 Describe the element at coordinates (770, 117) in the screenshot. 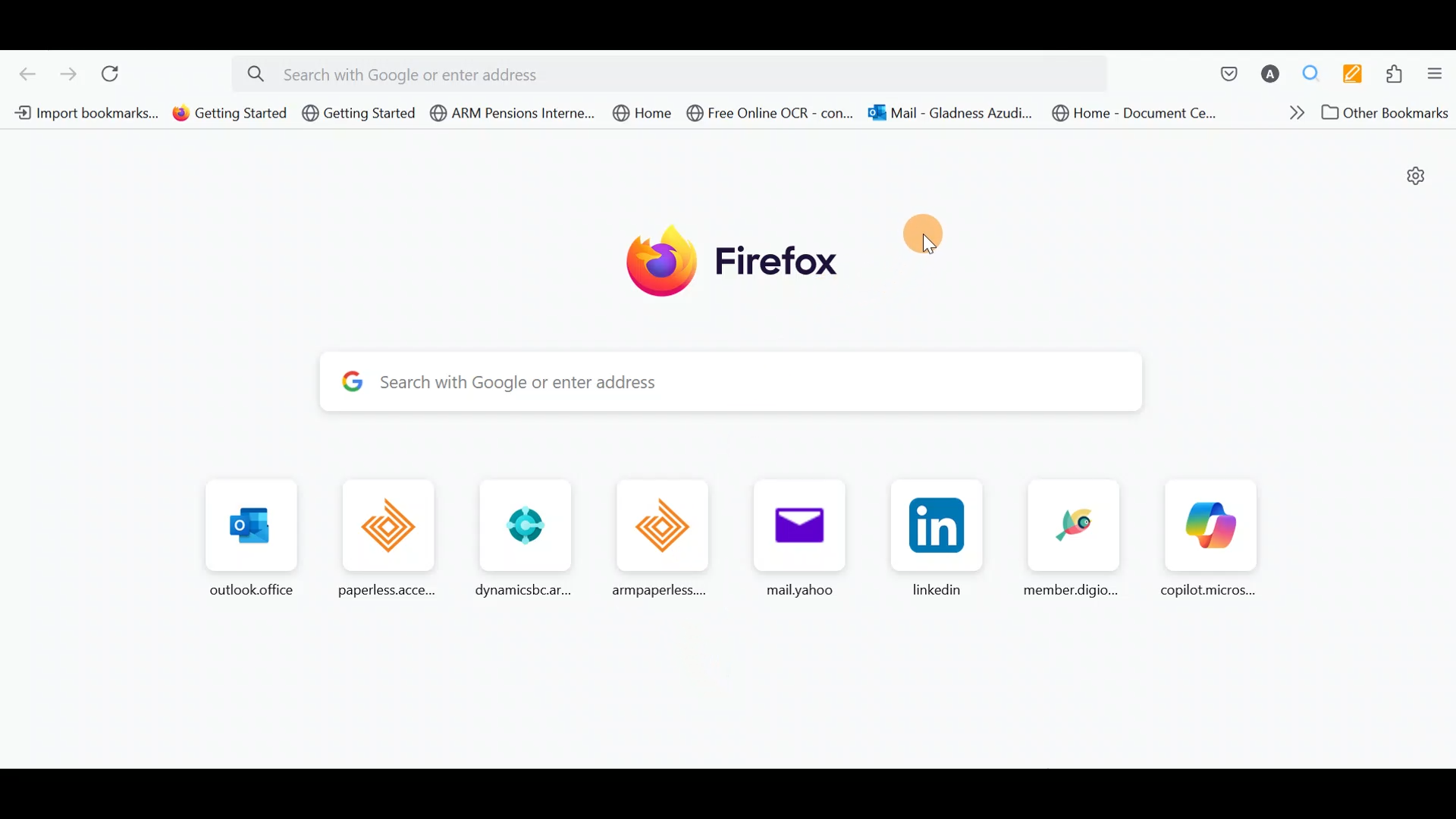

I see `Bookmark 6` at that location.